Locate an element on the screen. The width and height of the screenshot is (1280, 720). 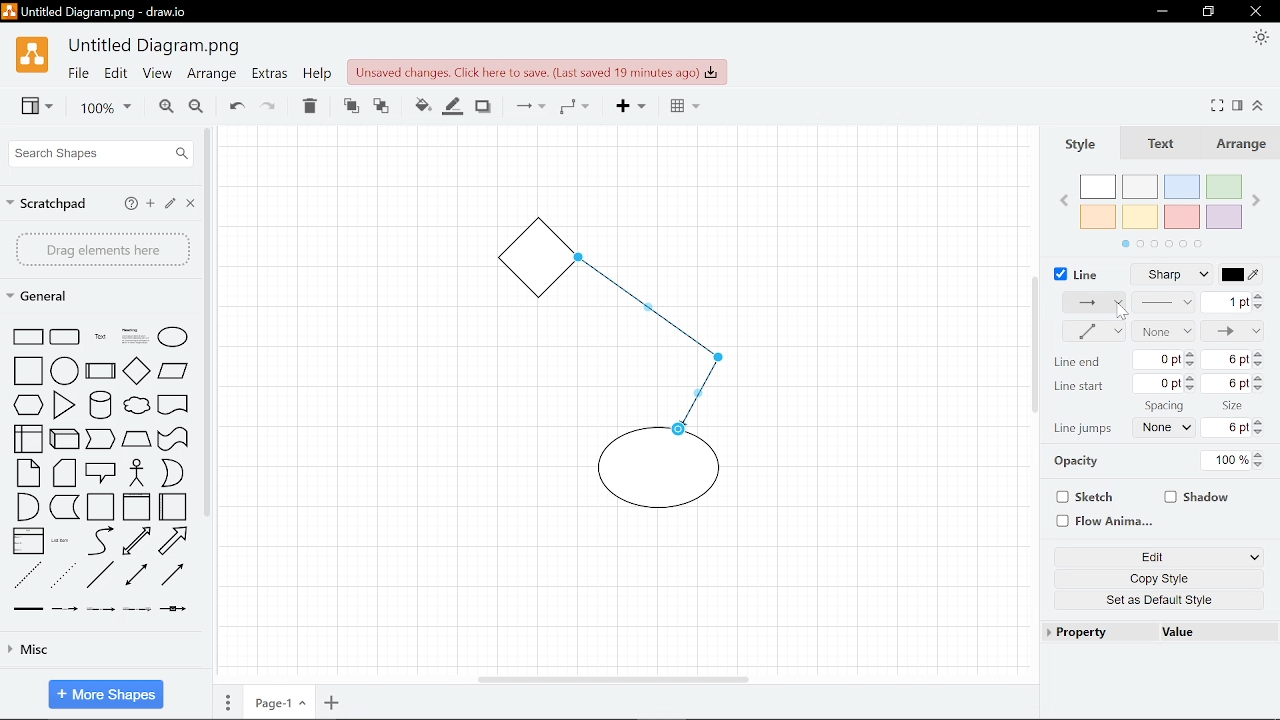
Line end is located at coordinates (1076, 362).